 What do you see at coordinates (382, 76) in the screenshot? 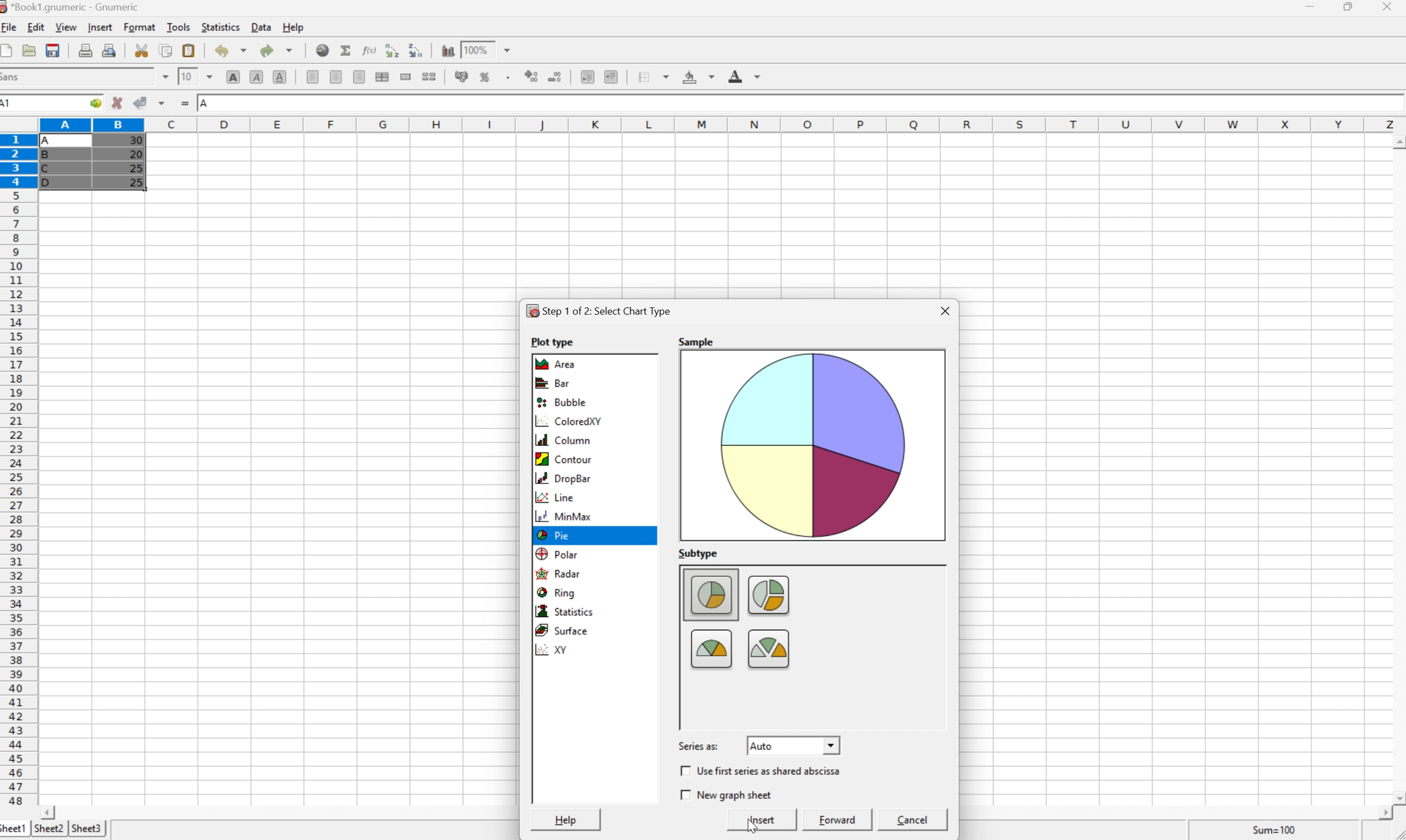
I see `Merge horizontally across the selection` at bounding box center [382, 76].